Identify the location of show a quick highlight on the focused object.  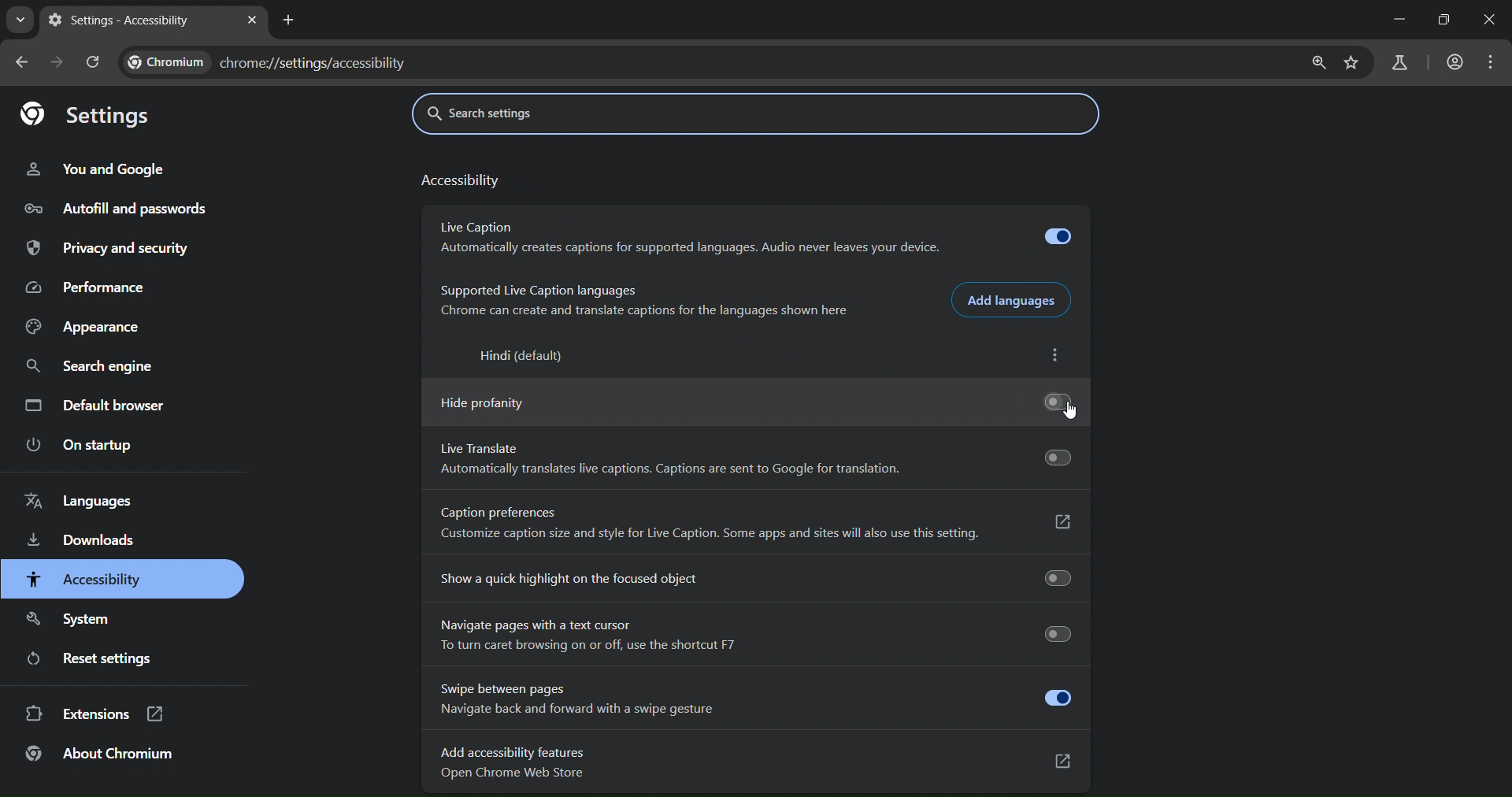
(756, 576).